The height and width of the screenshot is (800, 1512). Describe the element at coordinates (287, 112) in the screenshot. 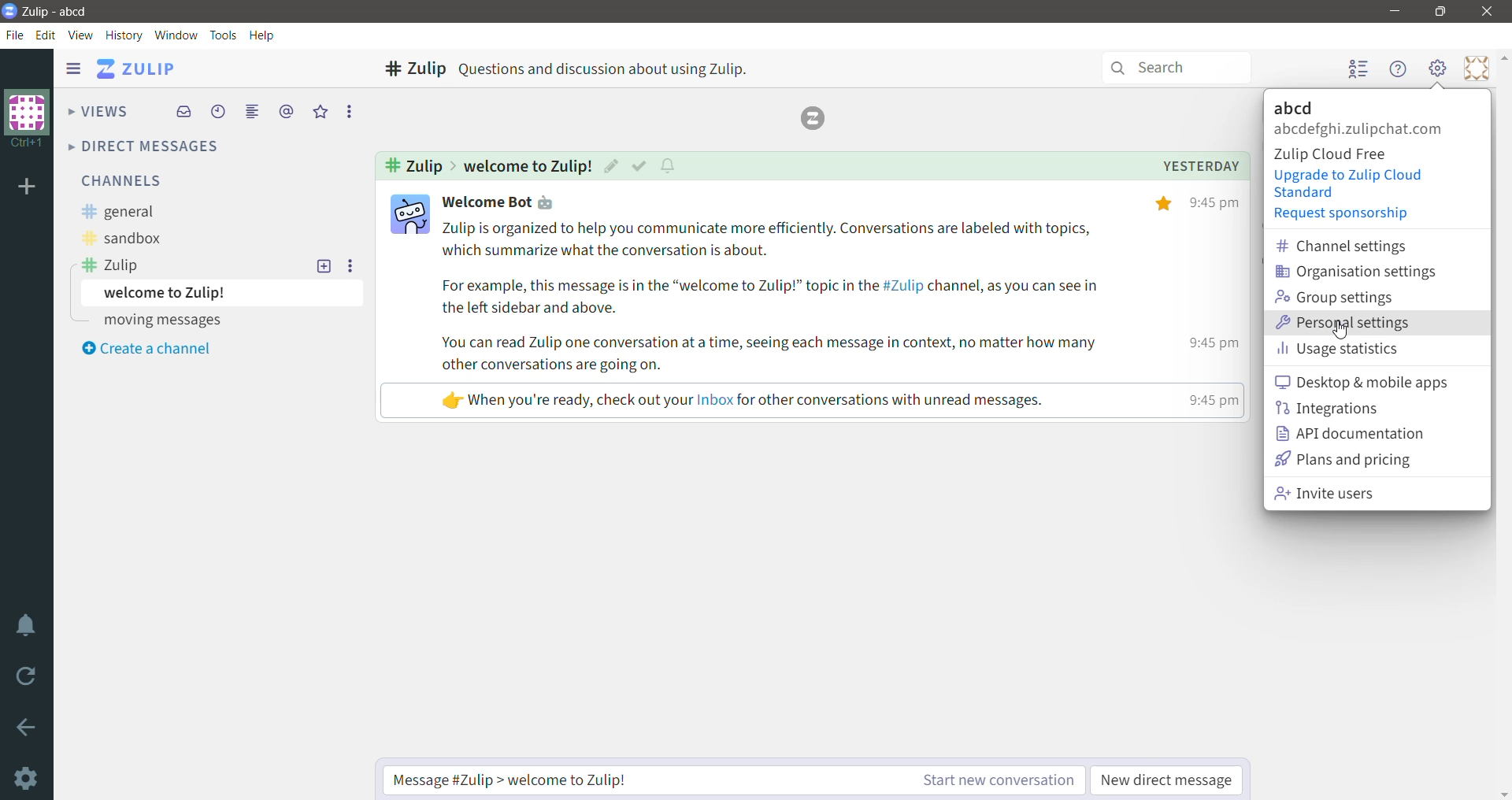

I see `Mentions` at that location.